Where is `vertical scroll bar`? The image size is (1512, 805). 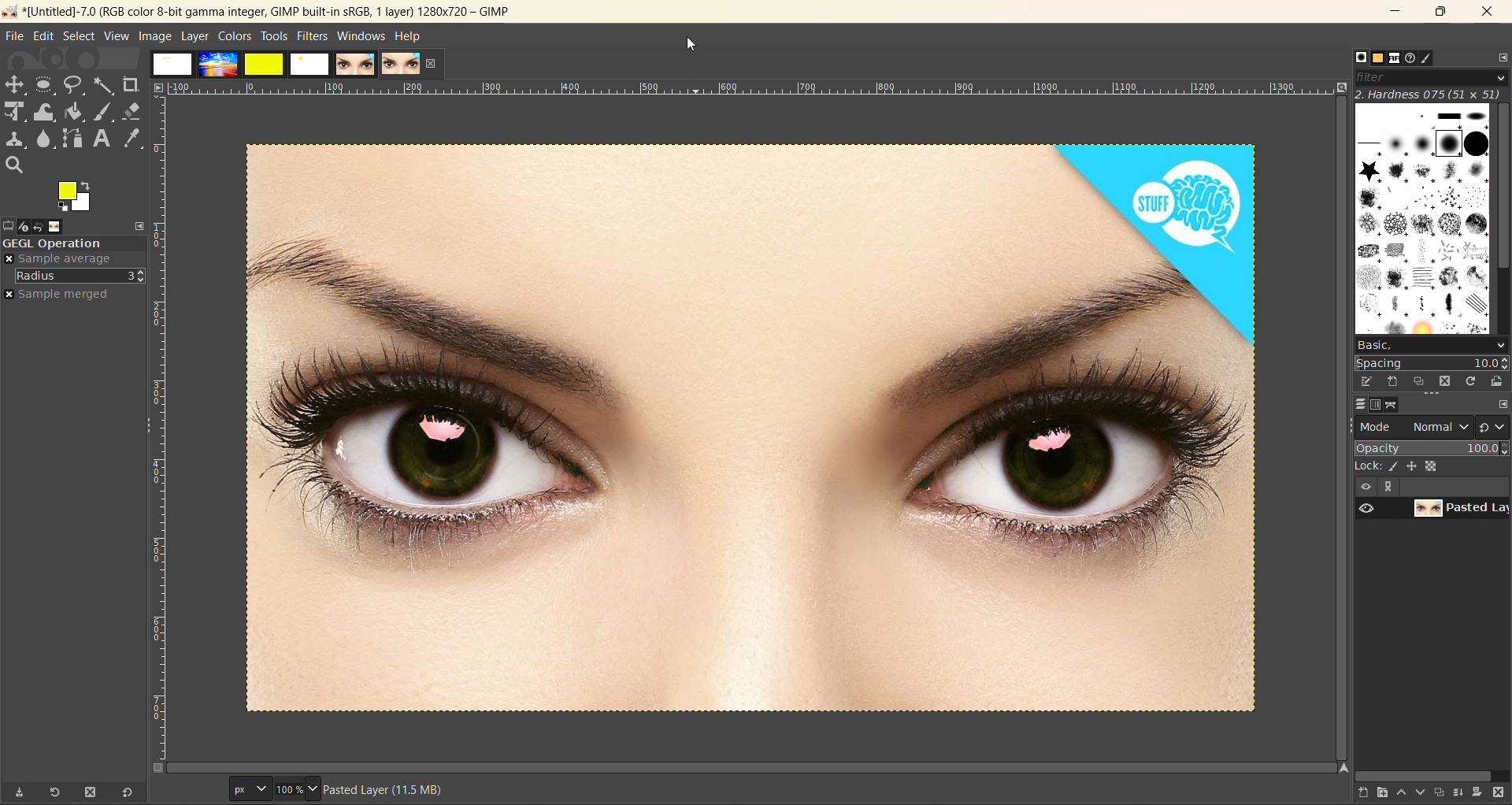 vertical scroll bar is located at coordinates (1503, 193).